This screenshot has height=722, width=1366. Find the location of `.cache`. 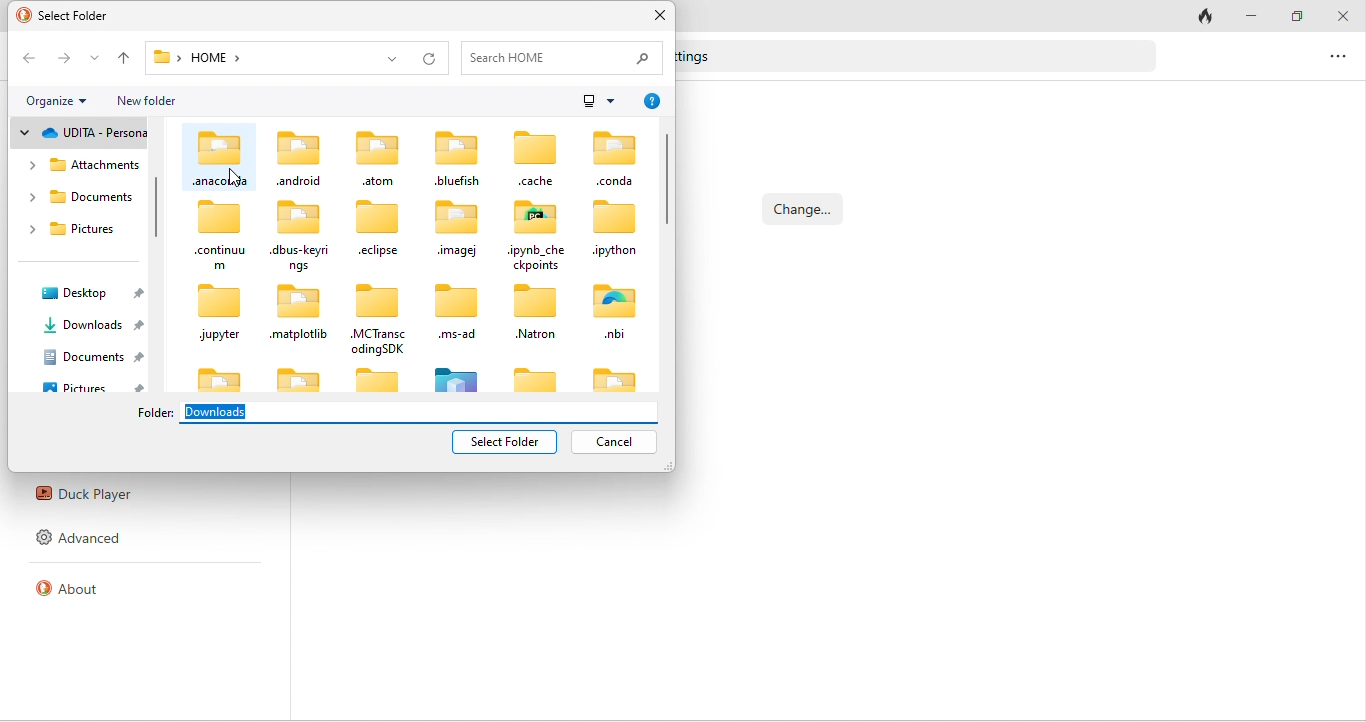

.cache is located at coordinates (531, 158).